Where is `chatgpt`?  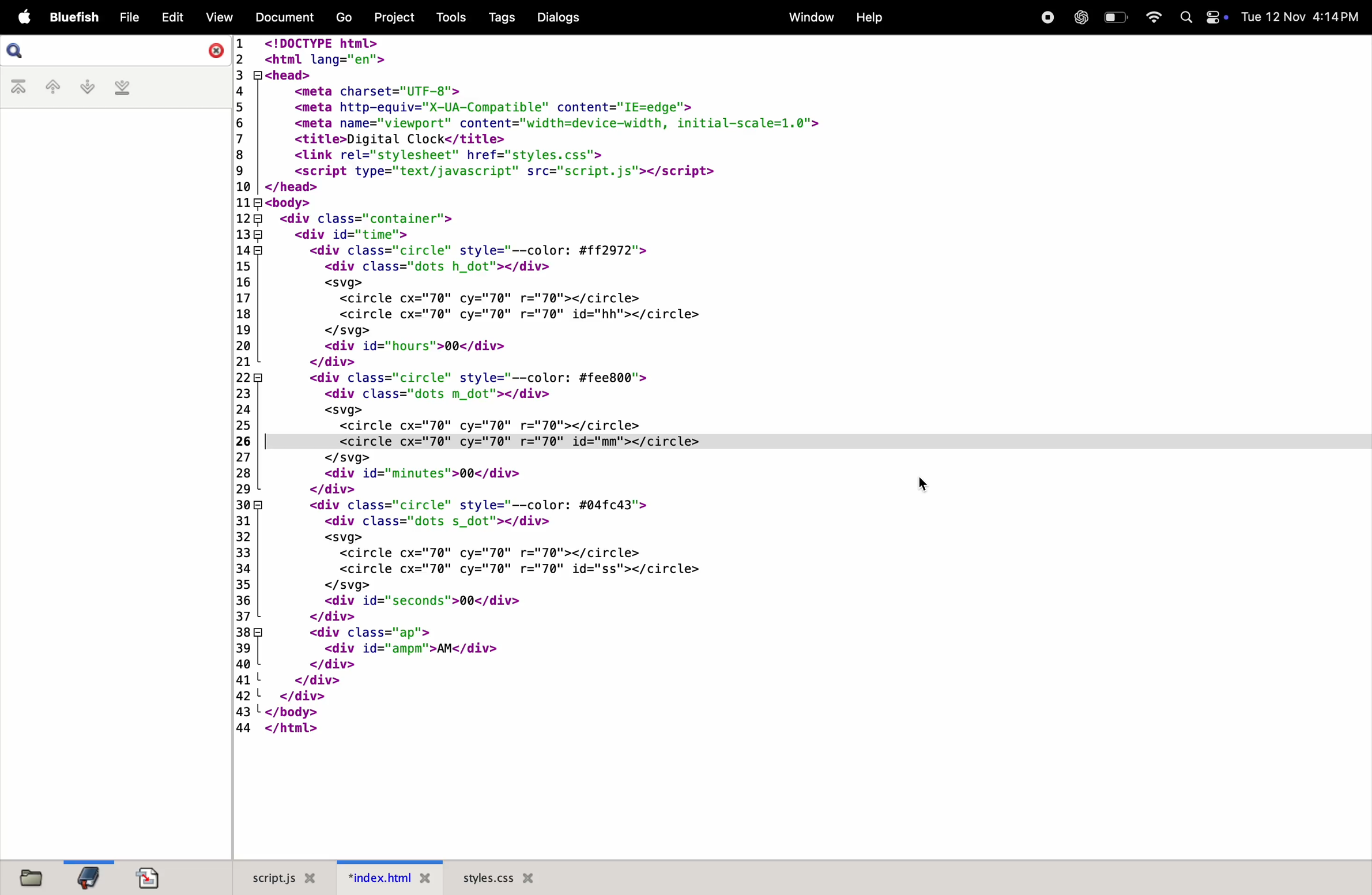
chatgpt is located at coordinates (1081, 17).